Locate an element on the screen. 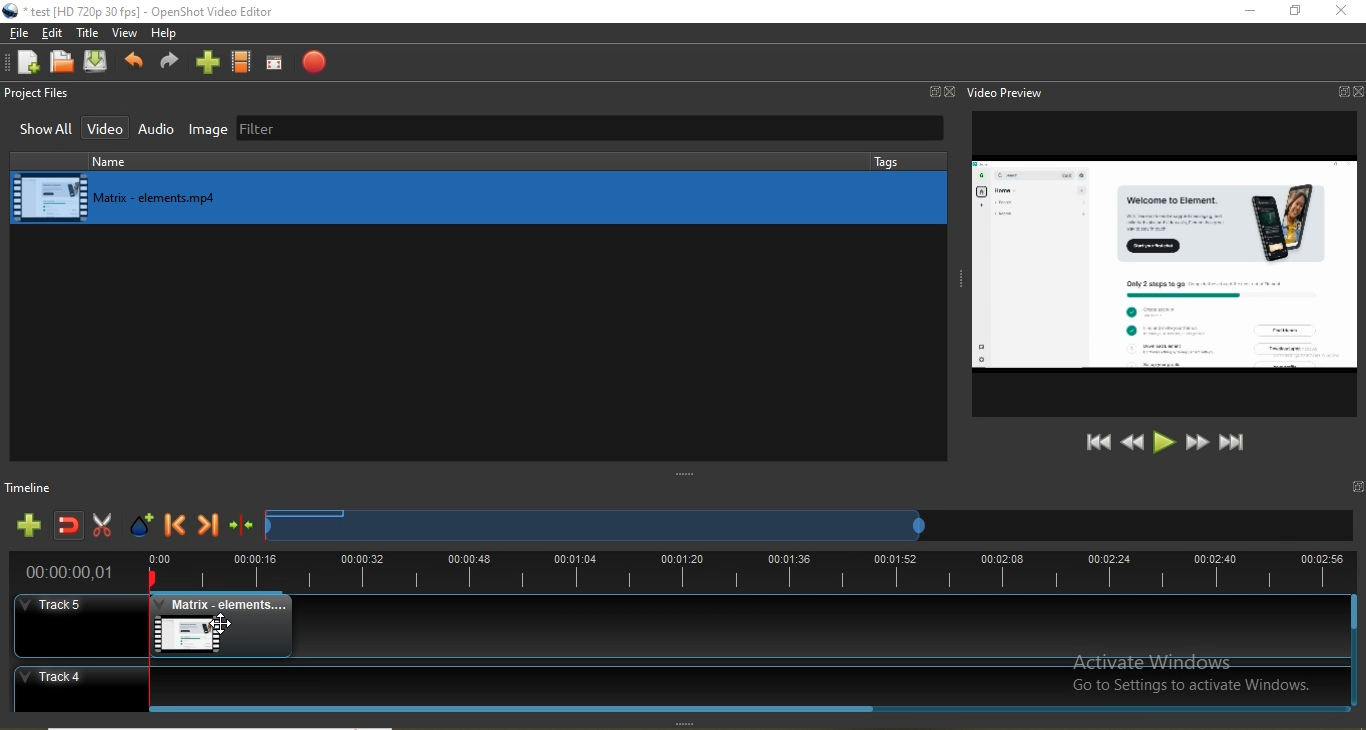  Vertical Scroll bar  is located at coordinates (1357, 652).